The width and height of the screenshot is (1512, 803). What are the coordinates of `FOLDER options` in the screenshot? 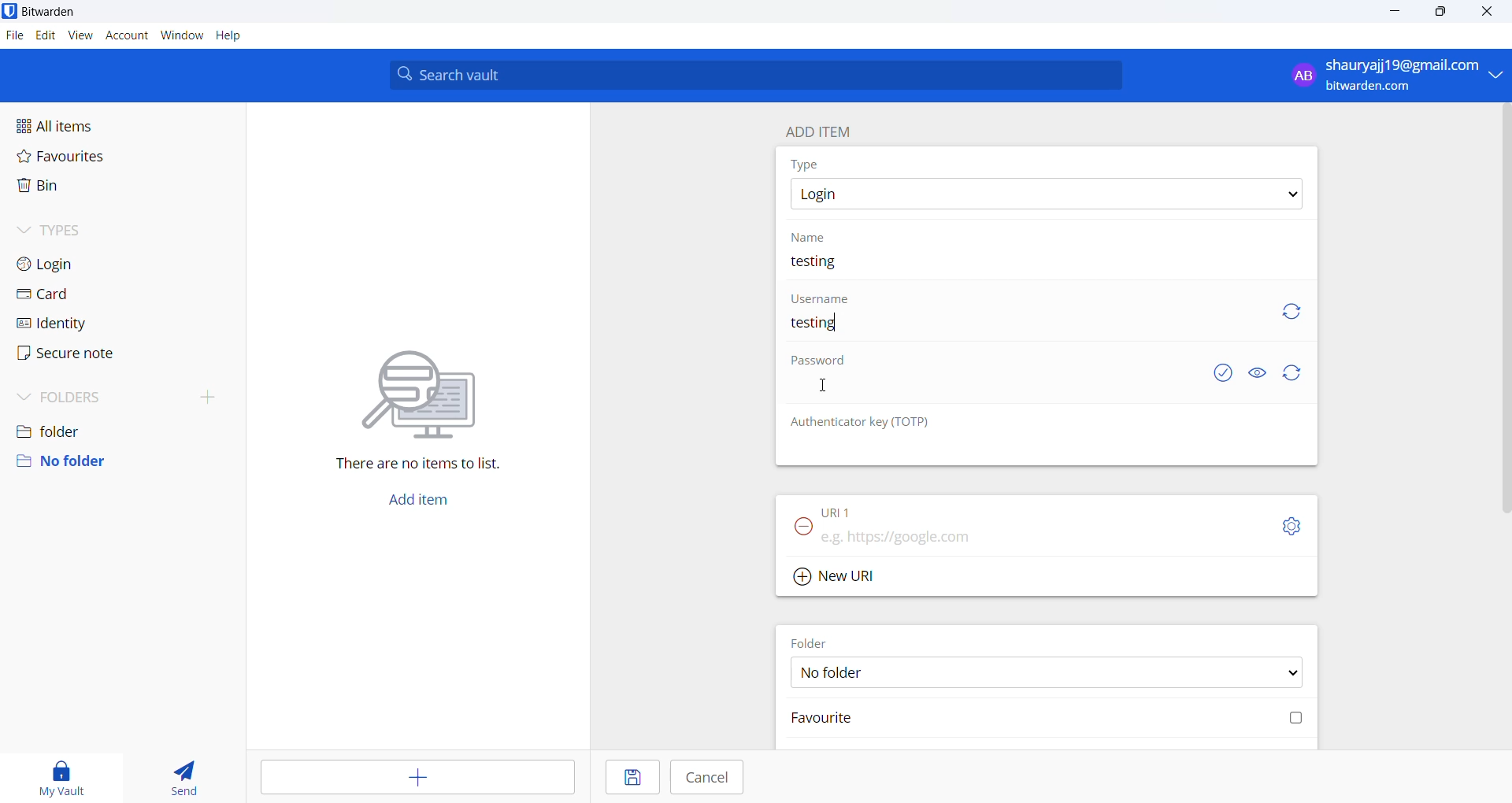 It's located at (1048, 673).